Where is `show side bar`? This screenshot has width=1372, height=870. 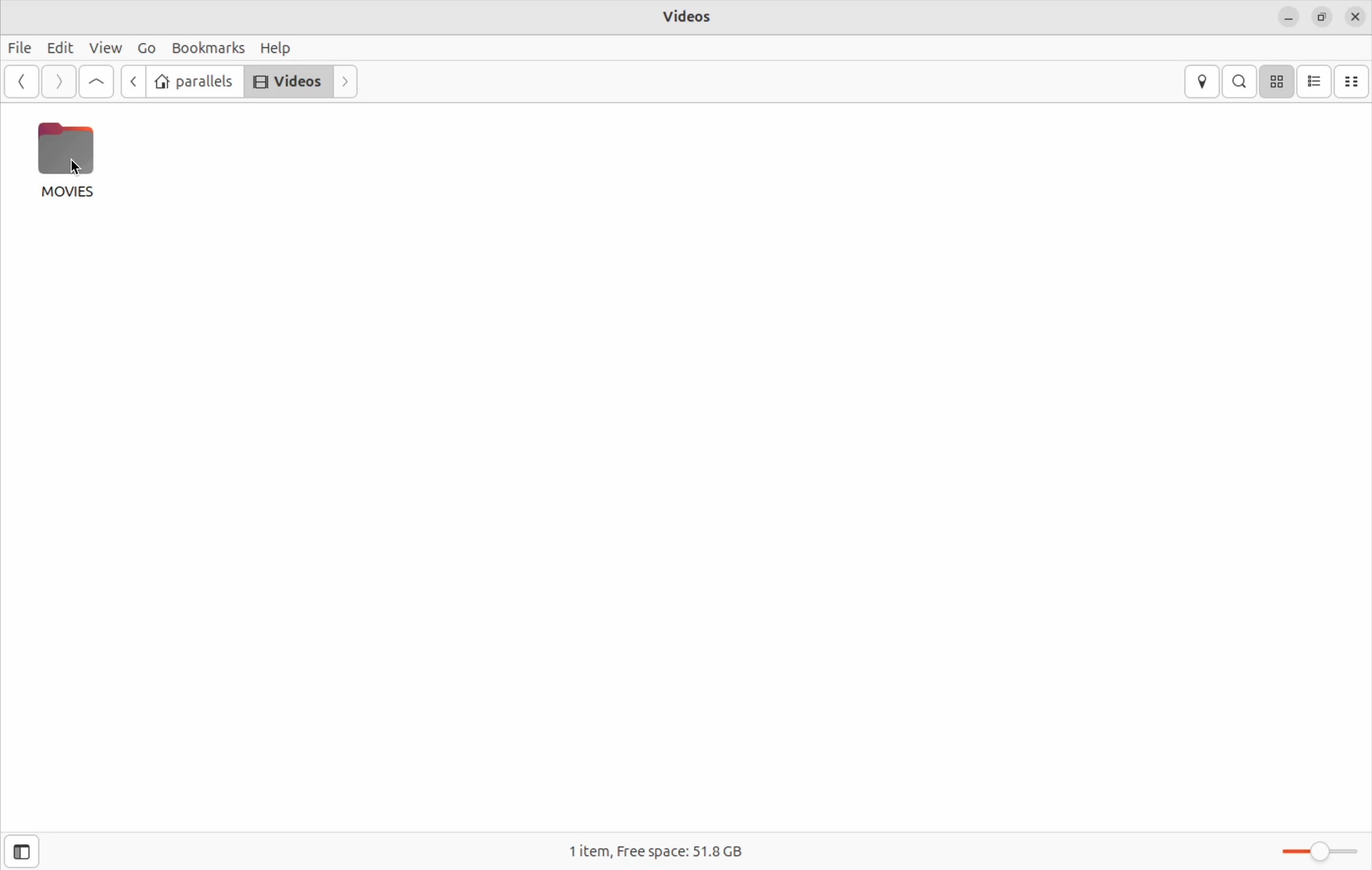
show side bar is located at coordinates (22, 852).